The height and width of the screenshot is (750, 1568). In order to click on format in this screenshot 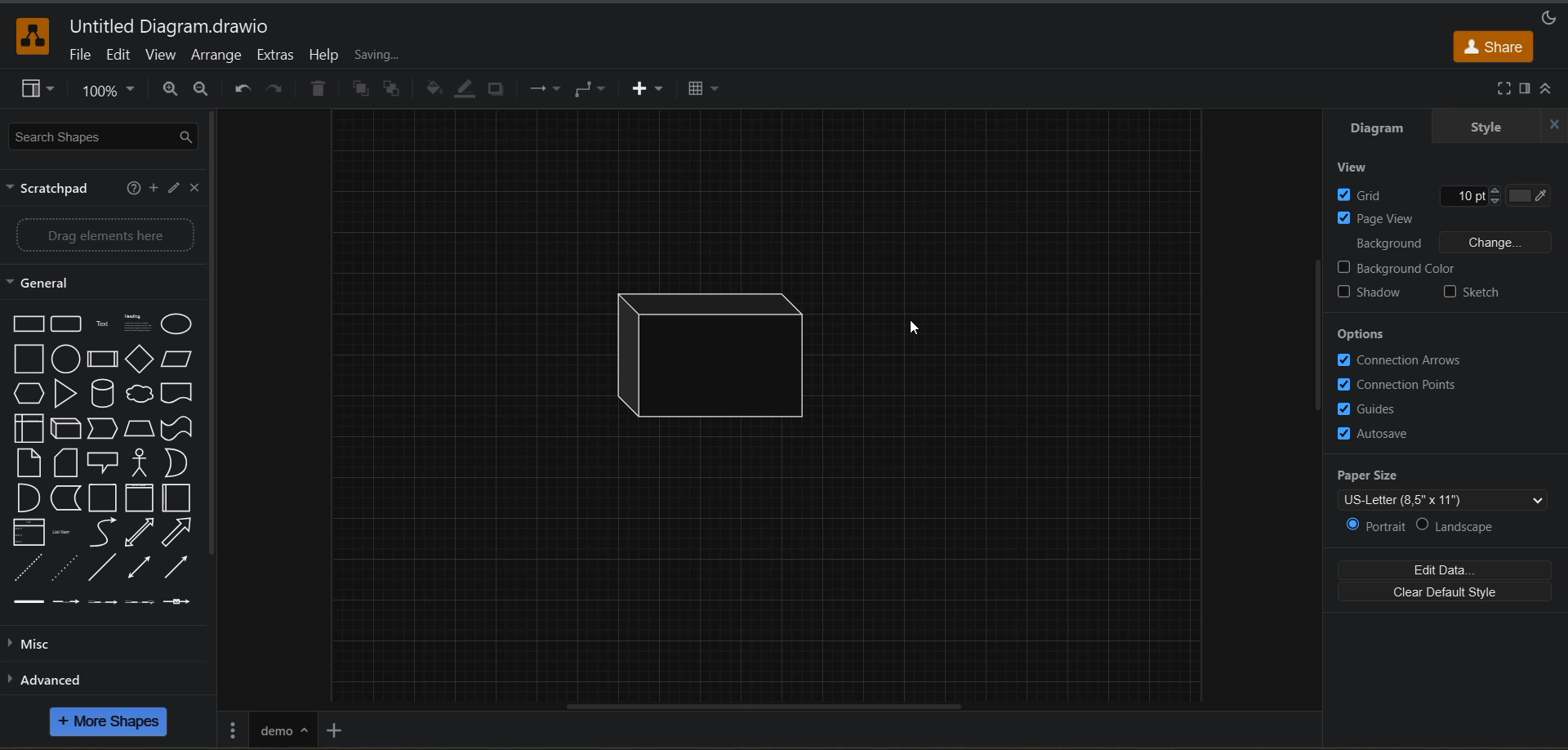, I will do `click(1523, 88)`.